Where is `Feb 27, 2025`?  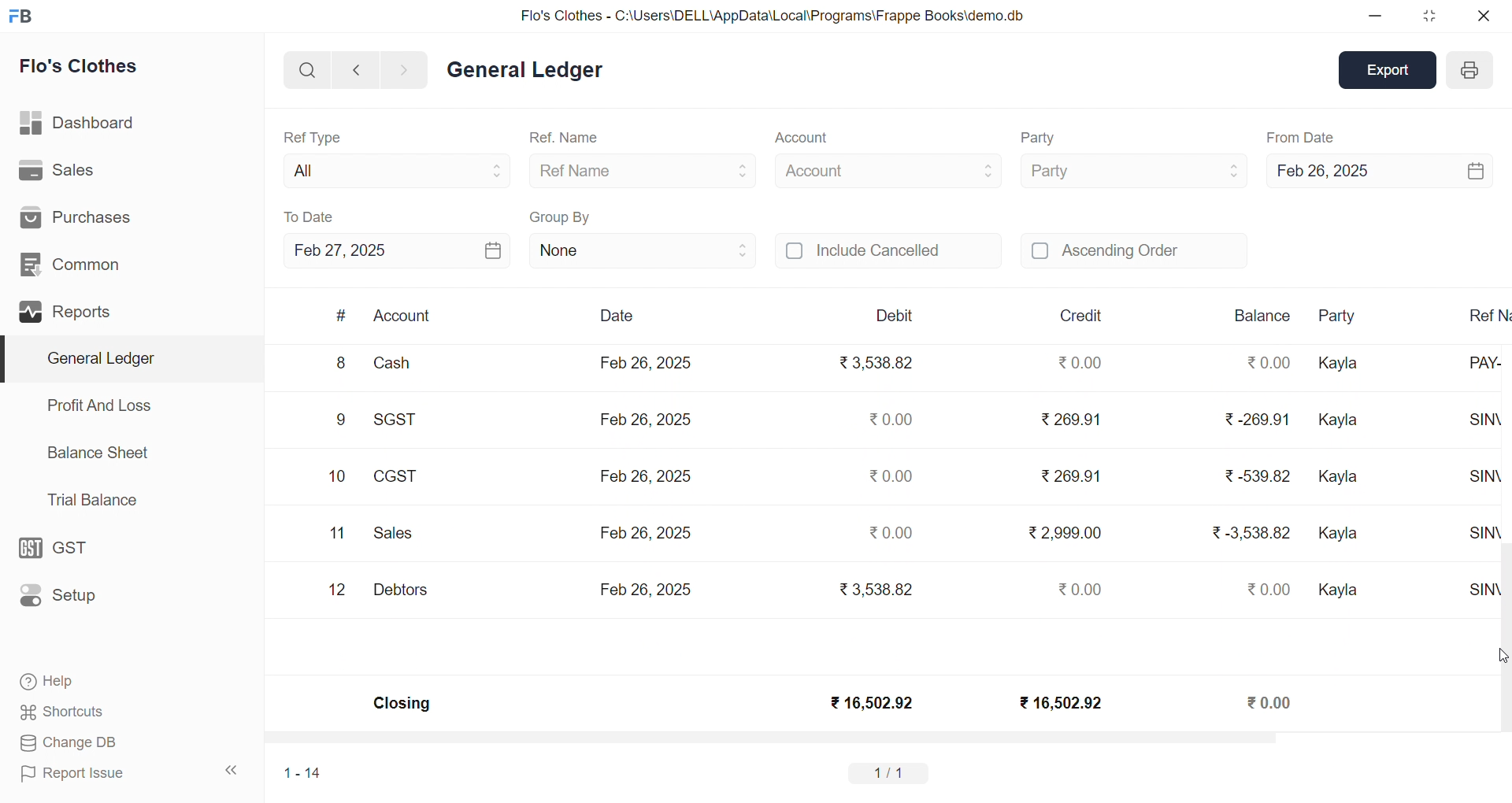 Feb 27, 2025 is located at coordinates (397, 250).